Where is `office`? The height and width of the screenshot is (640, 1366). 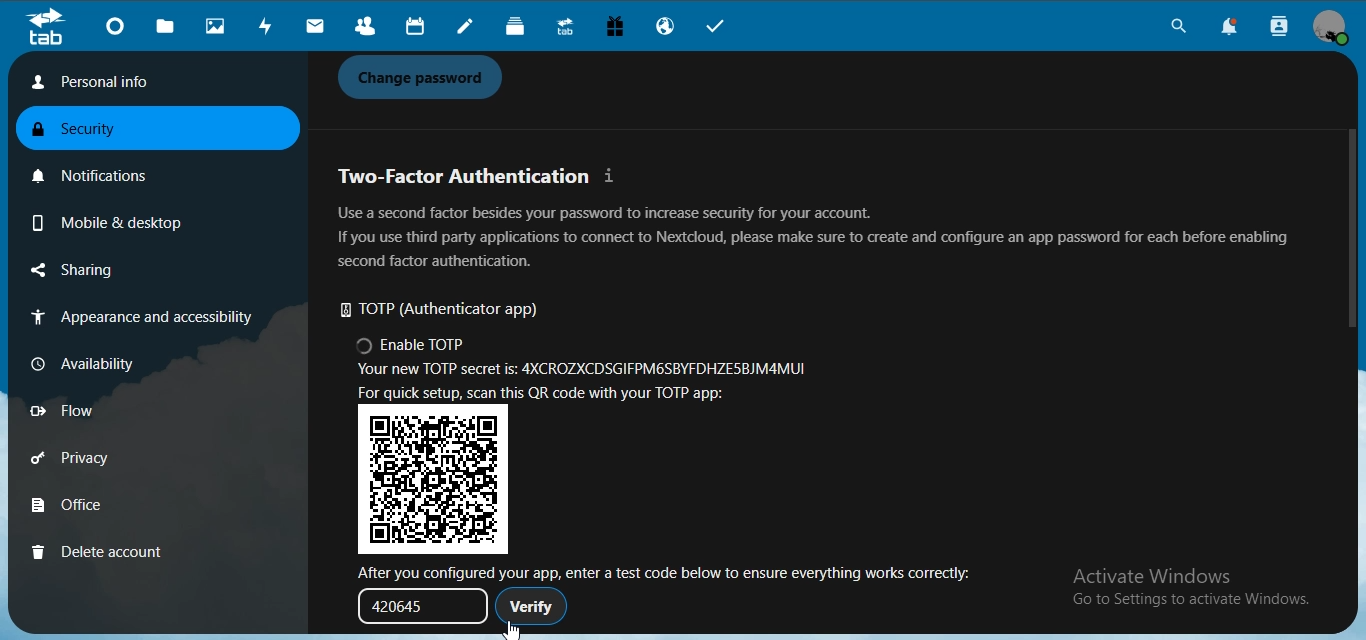
office is located at coordinates (97, 507).